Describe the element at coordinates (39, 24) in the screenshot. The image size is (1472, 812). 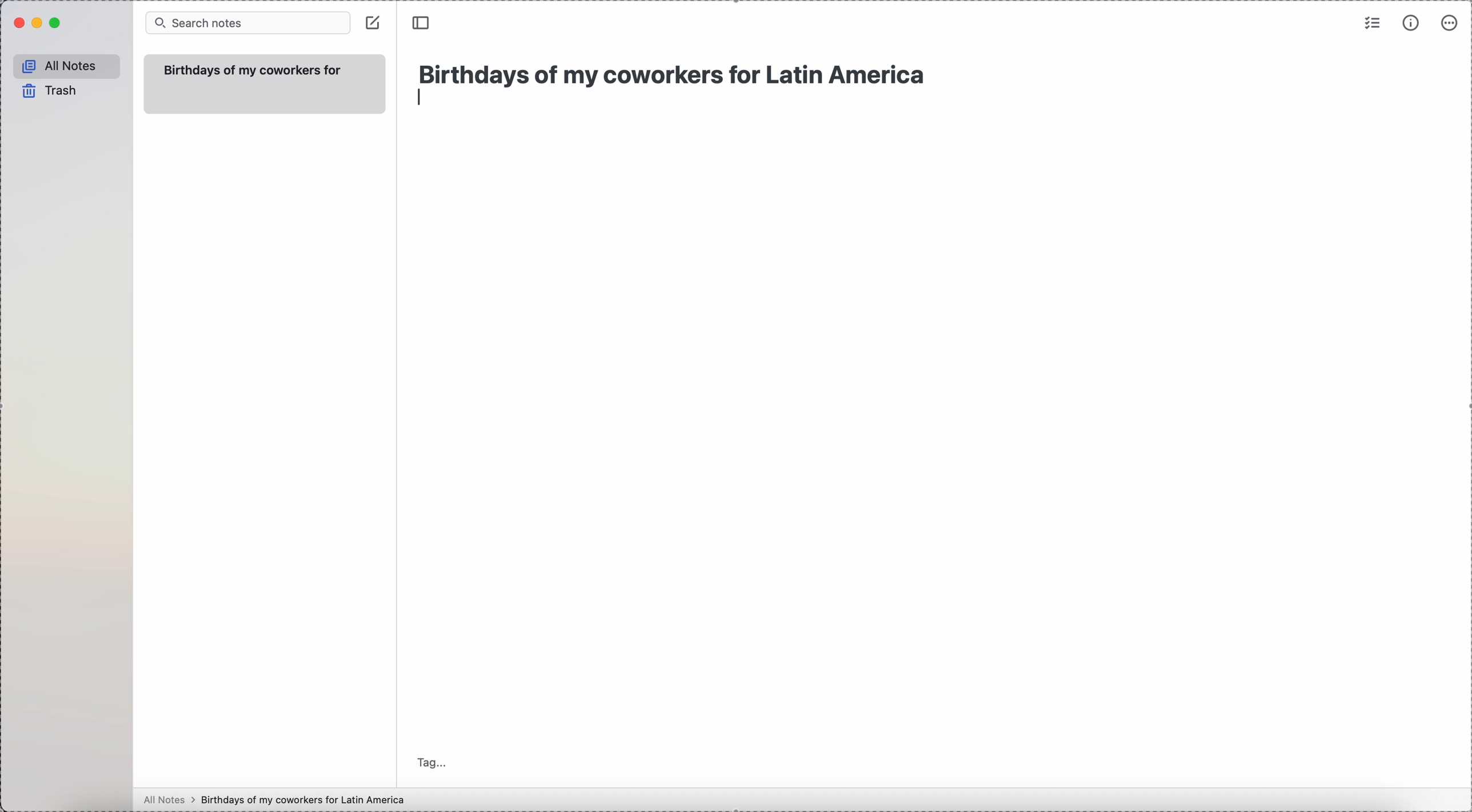
I see `minimize Simplenote` at that location.